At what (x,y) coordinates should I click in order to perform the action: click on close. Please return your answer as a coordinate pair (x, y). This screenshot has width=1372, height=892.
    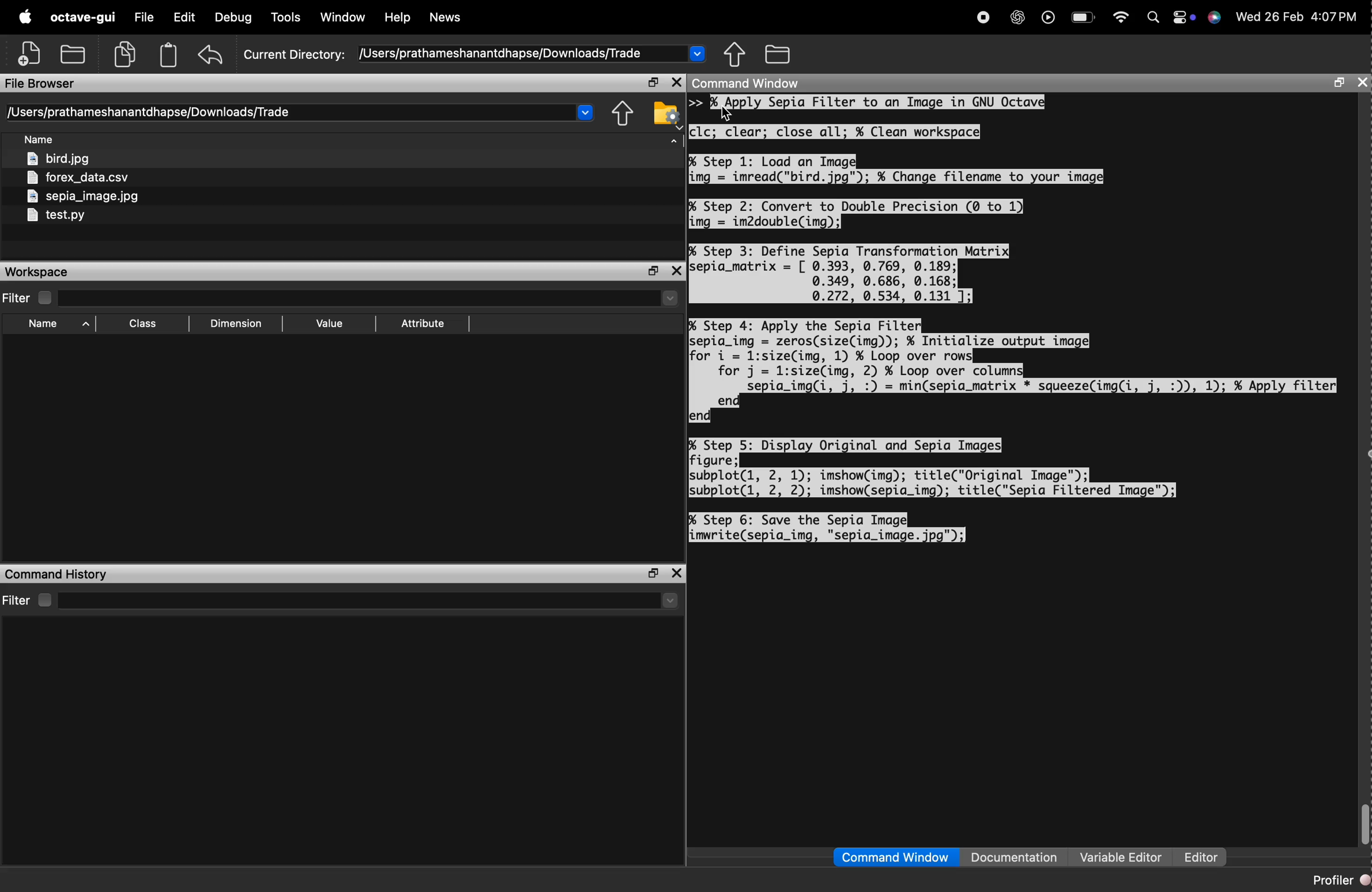
    Looking at the image, I should click on (678, 82).